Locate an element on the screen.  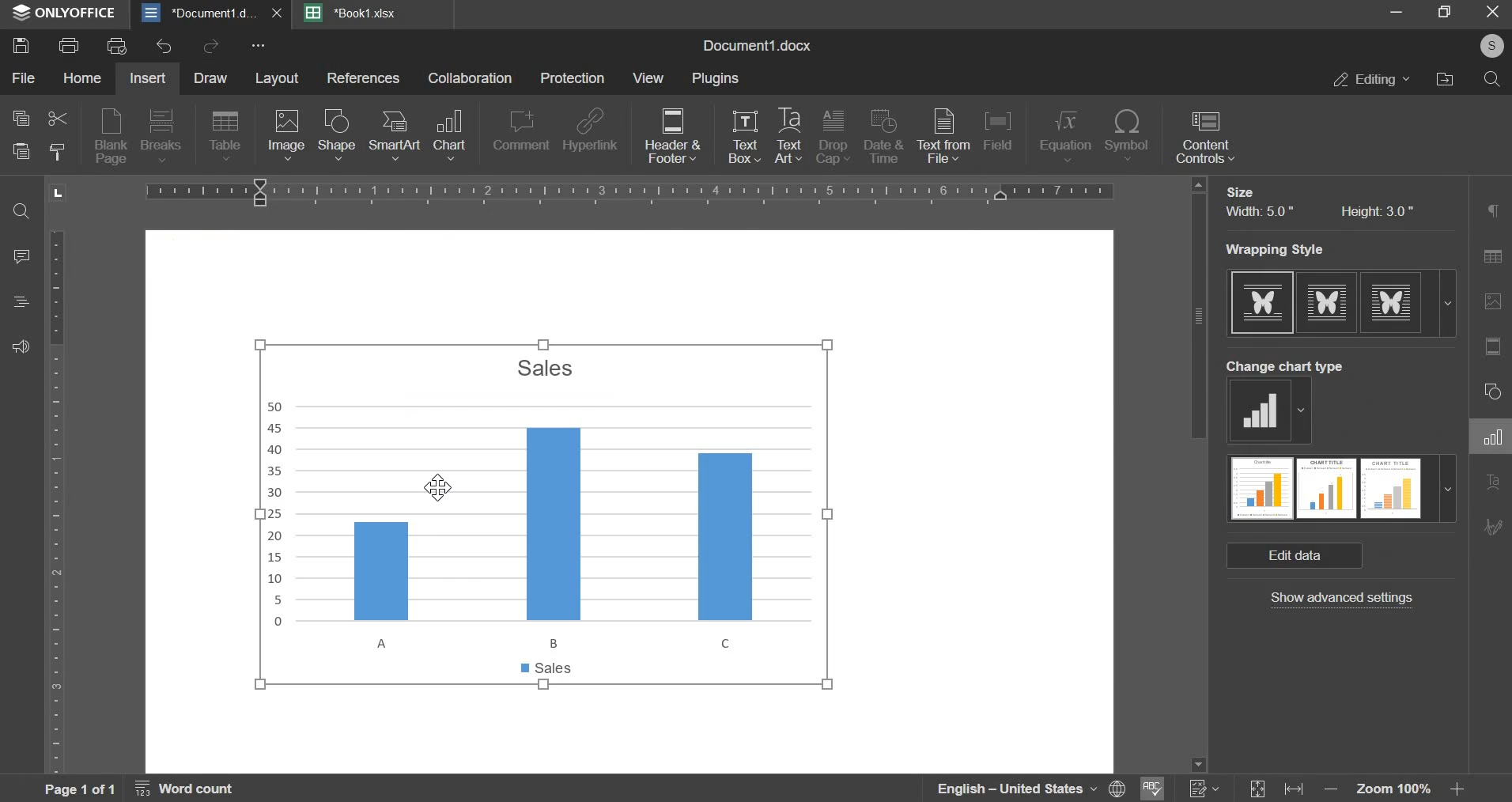
content controls is located at coordinates (1206, 138).